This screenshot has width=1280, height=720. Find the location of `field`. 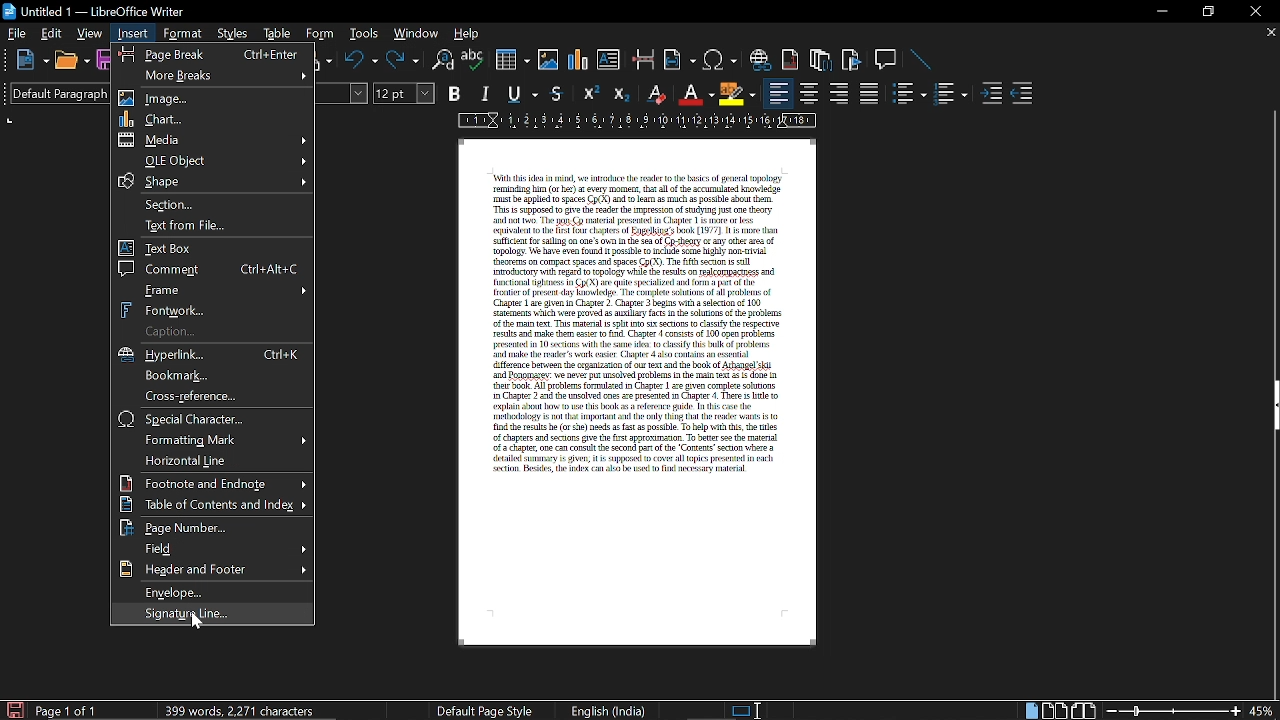

field is located at coordinates (214, 548).